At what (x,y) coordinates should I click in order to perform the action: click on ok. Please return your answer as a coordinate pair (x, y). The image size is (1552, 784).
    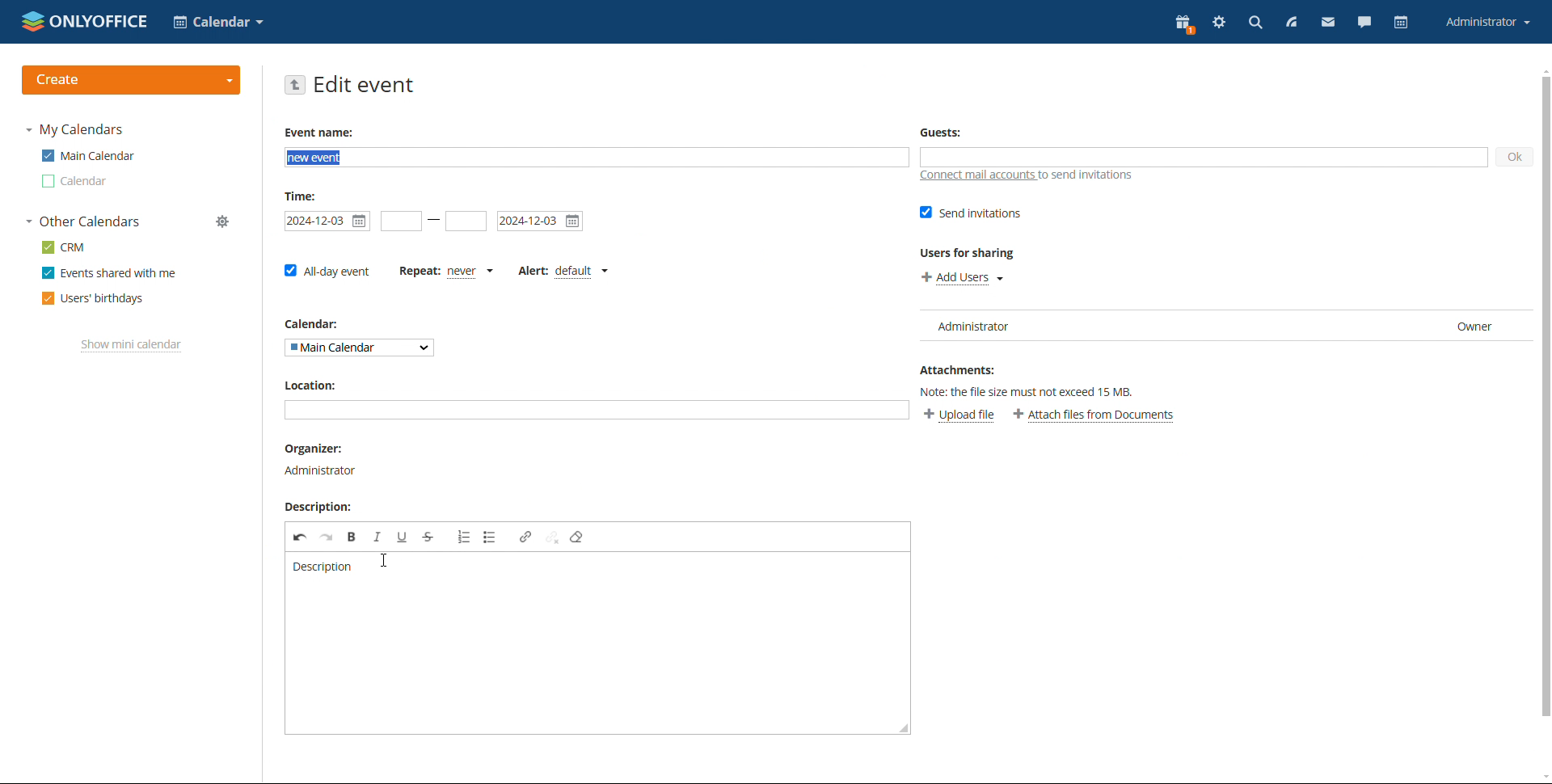
    Looking at the image, I should click on (1514, 158).